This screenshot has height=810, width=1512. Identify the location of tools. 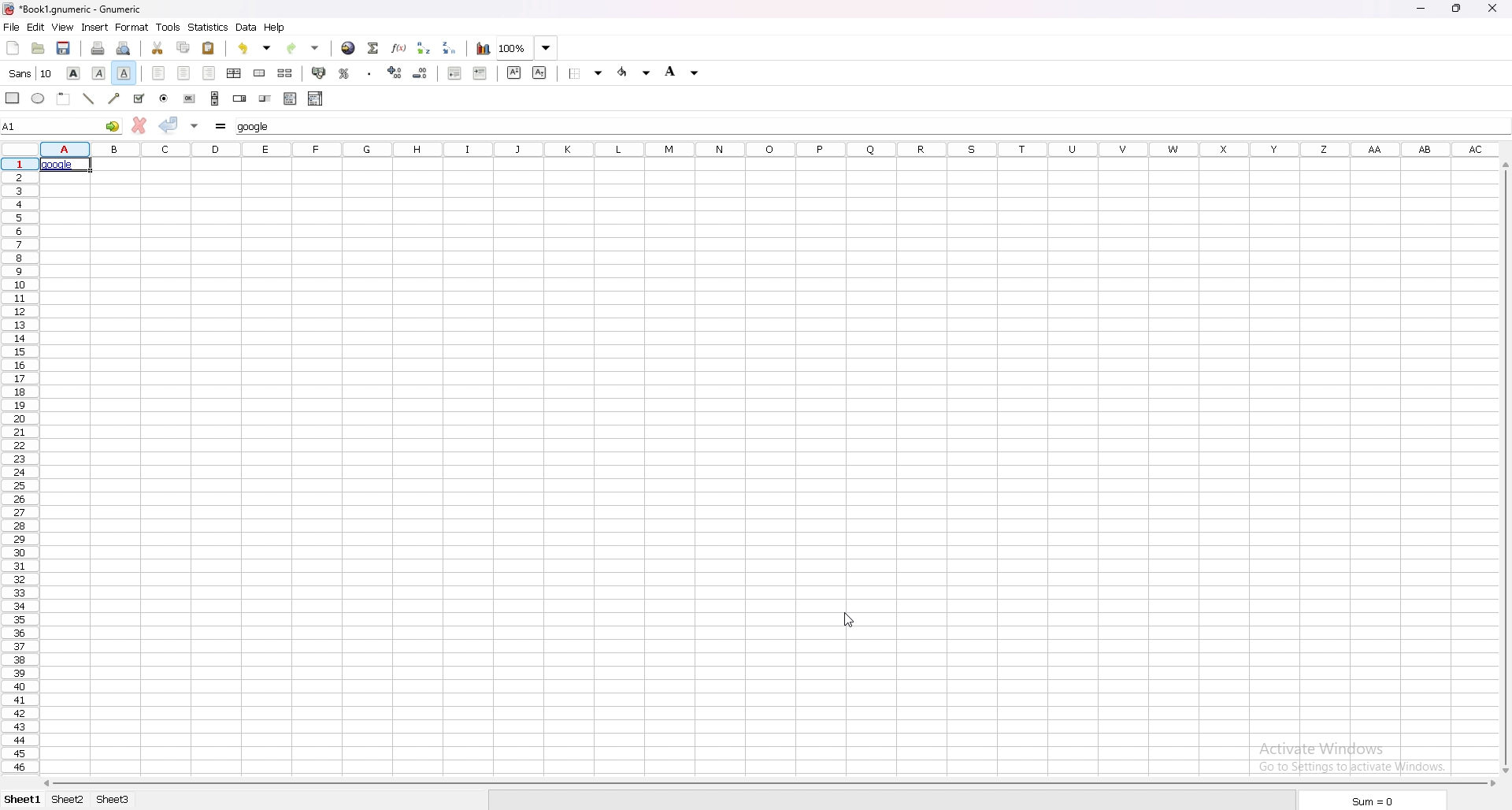
(168, 27).